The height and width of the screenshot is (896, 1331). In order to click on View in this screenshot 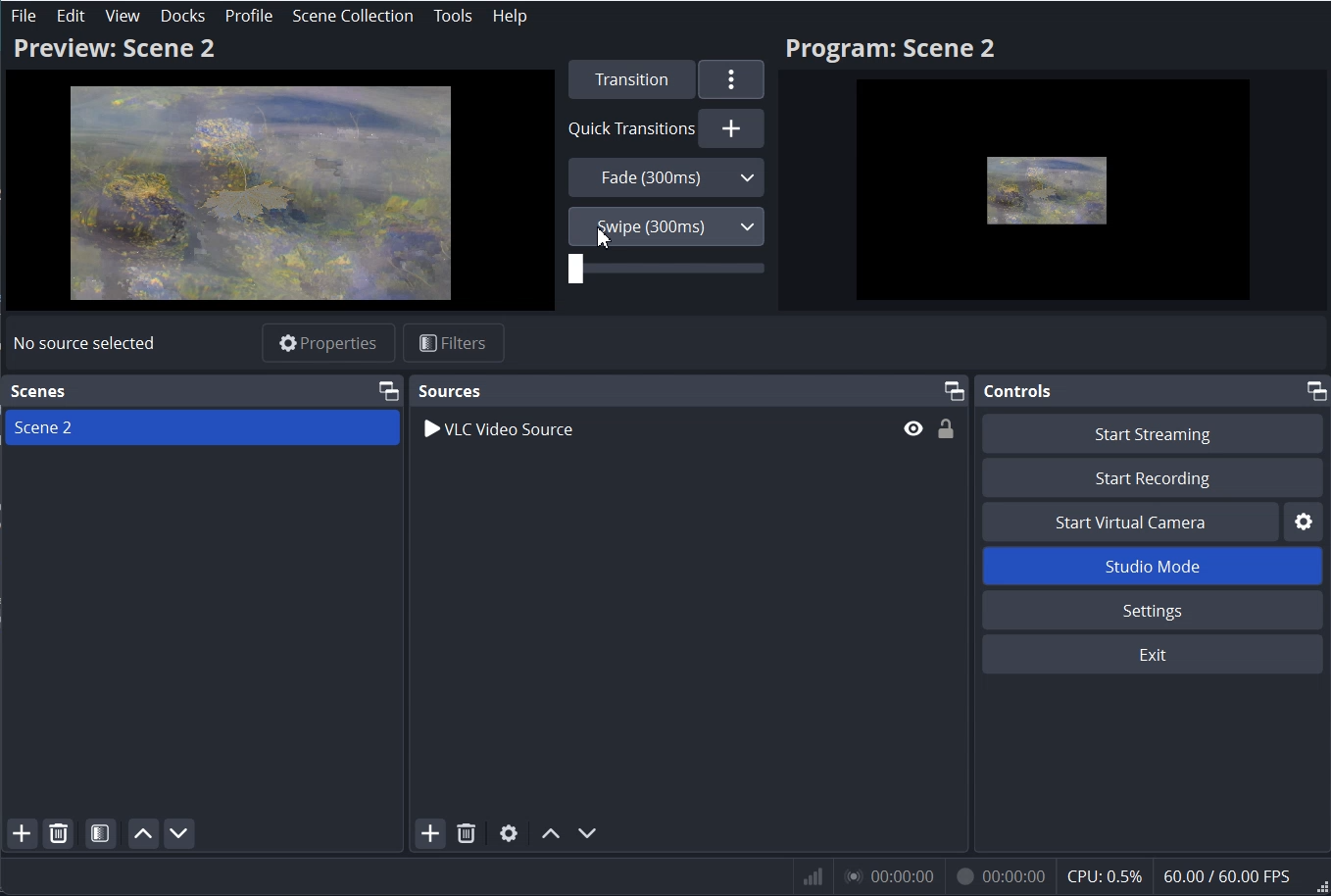, I will do `click(122, 17)`.